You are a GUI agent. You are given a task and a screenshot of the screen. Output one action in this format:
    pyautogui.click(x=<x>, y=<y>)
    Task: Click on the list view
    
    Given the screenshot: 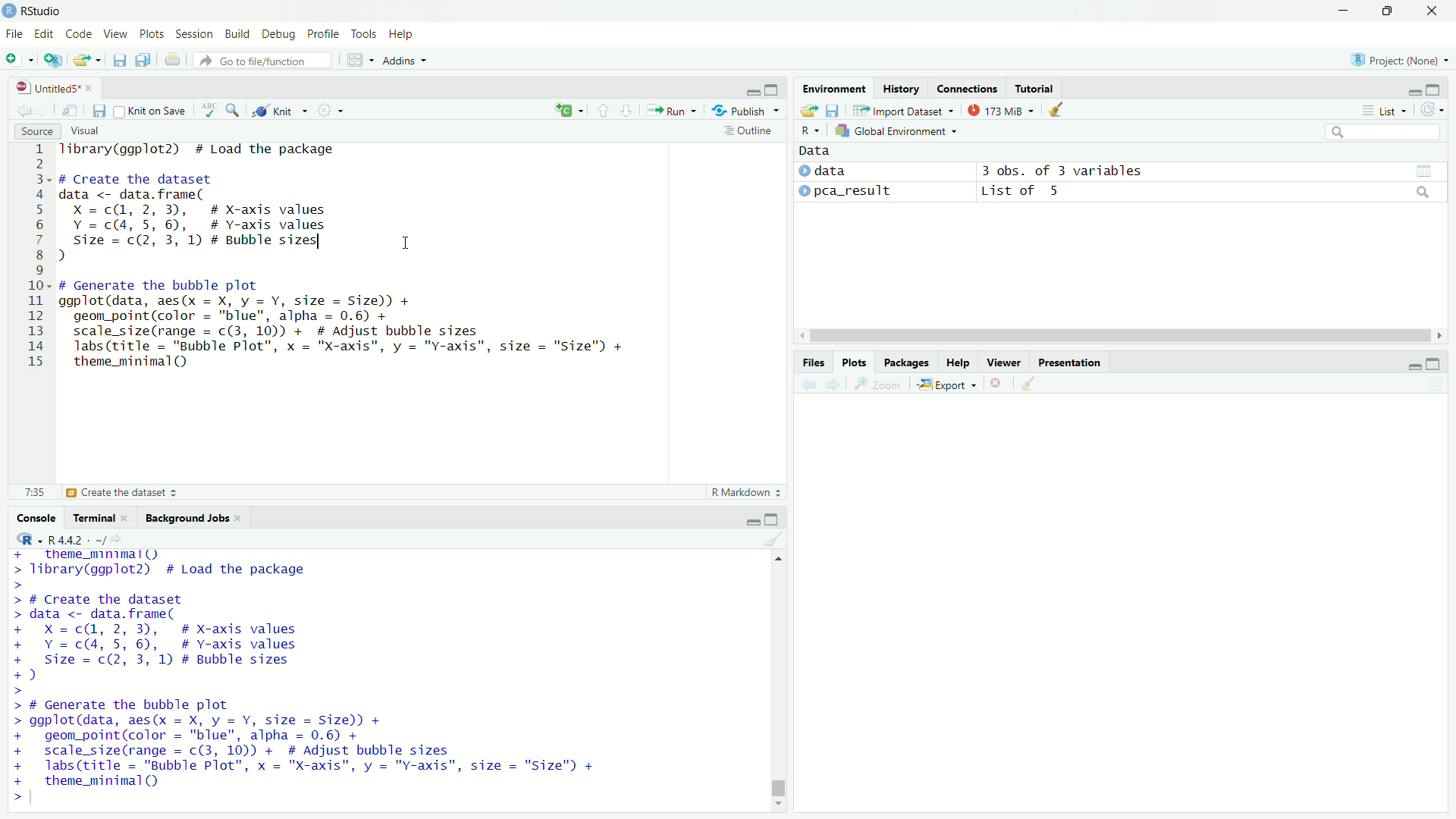 What is the action you would take?
    pyautogui.click(x=1385, y=110)
    